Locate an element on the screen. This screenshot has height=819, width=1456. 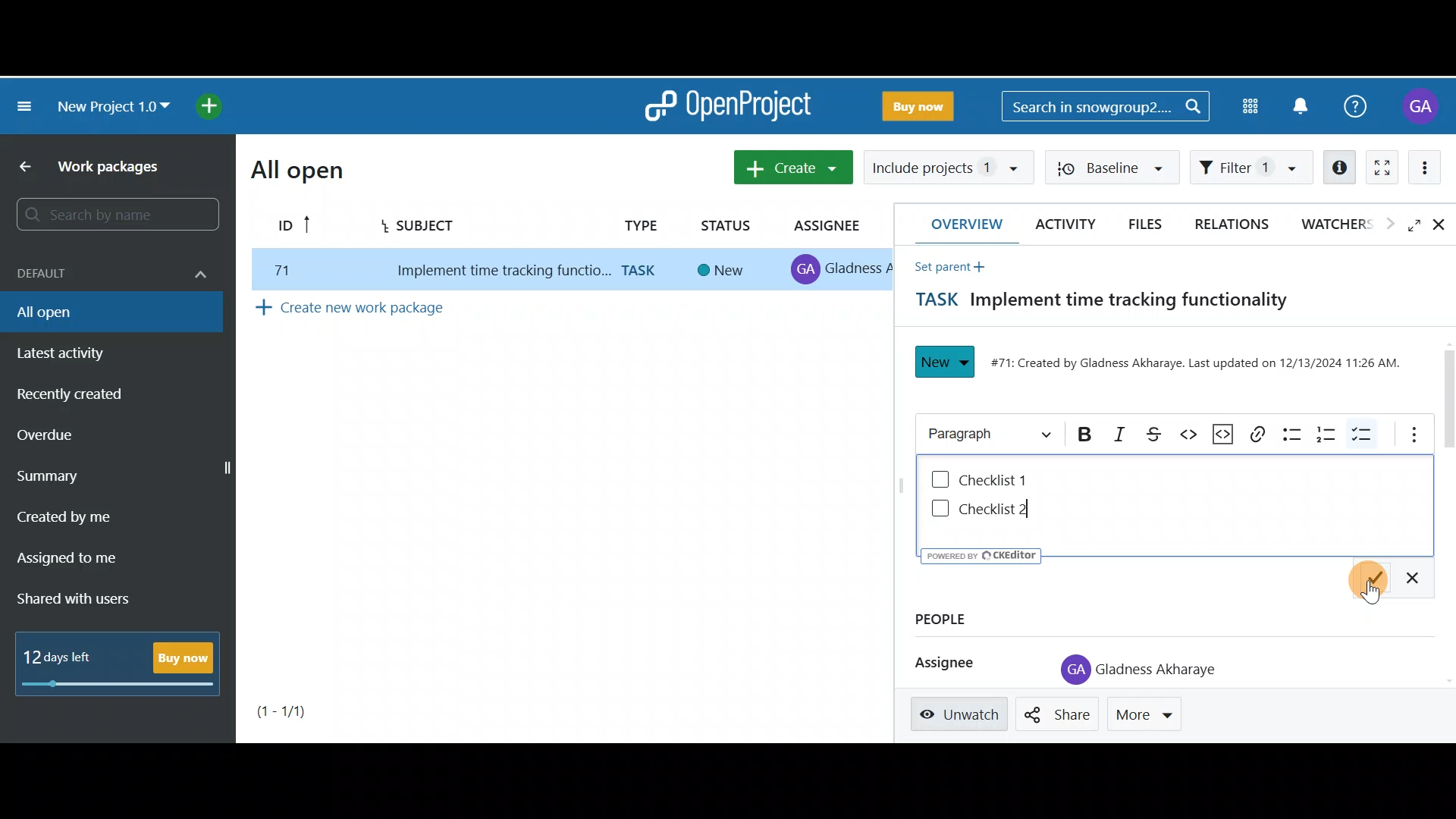
Assigned to me is located at coordinates (74, 557).